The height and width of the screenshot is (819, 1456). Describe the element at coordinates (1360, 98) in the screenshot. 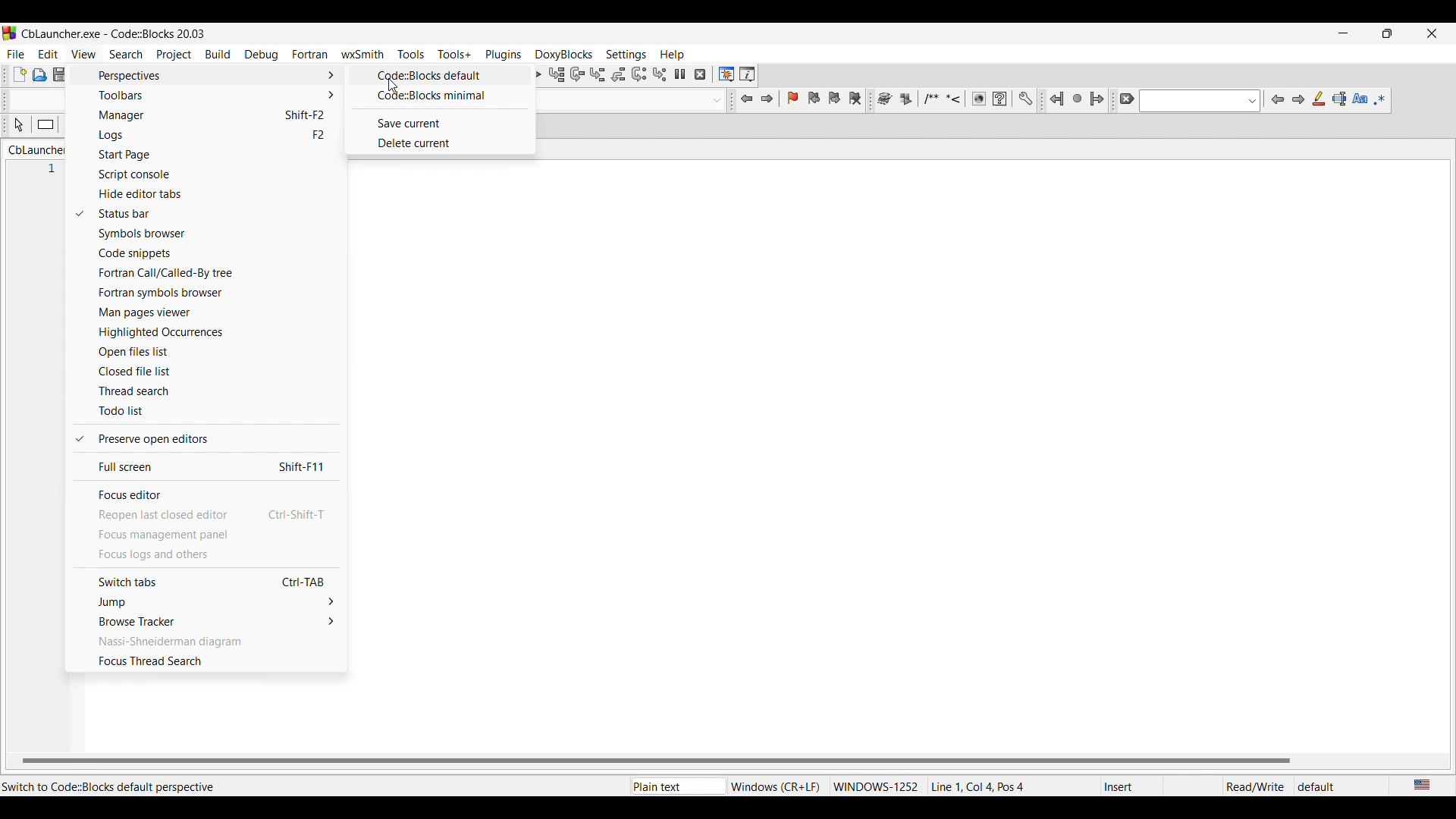

I see `Match case ` at that location.